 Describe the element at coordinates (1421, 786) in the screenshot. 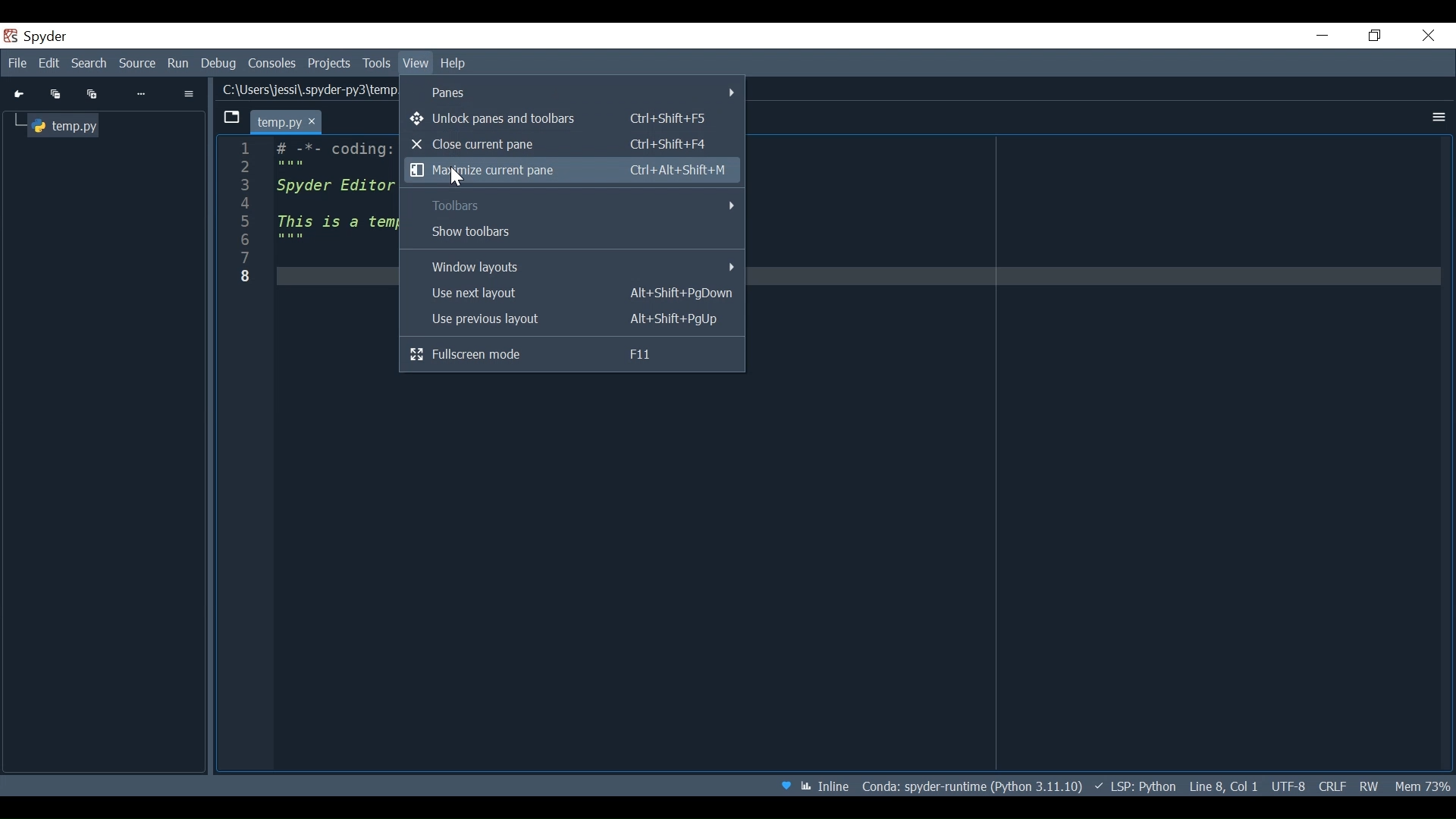

I see `Memory Usage` at that location.